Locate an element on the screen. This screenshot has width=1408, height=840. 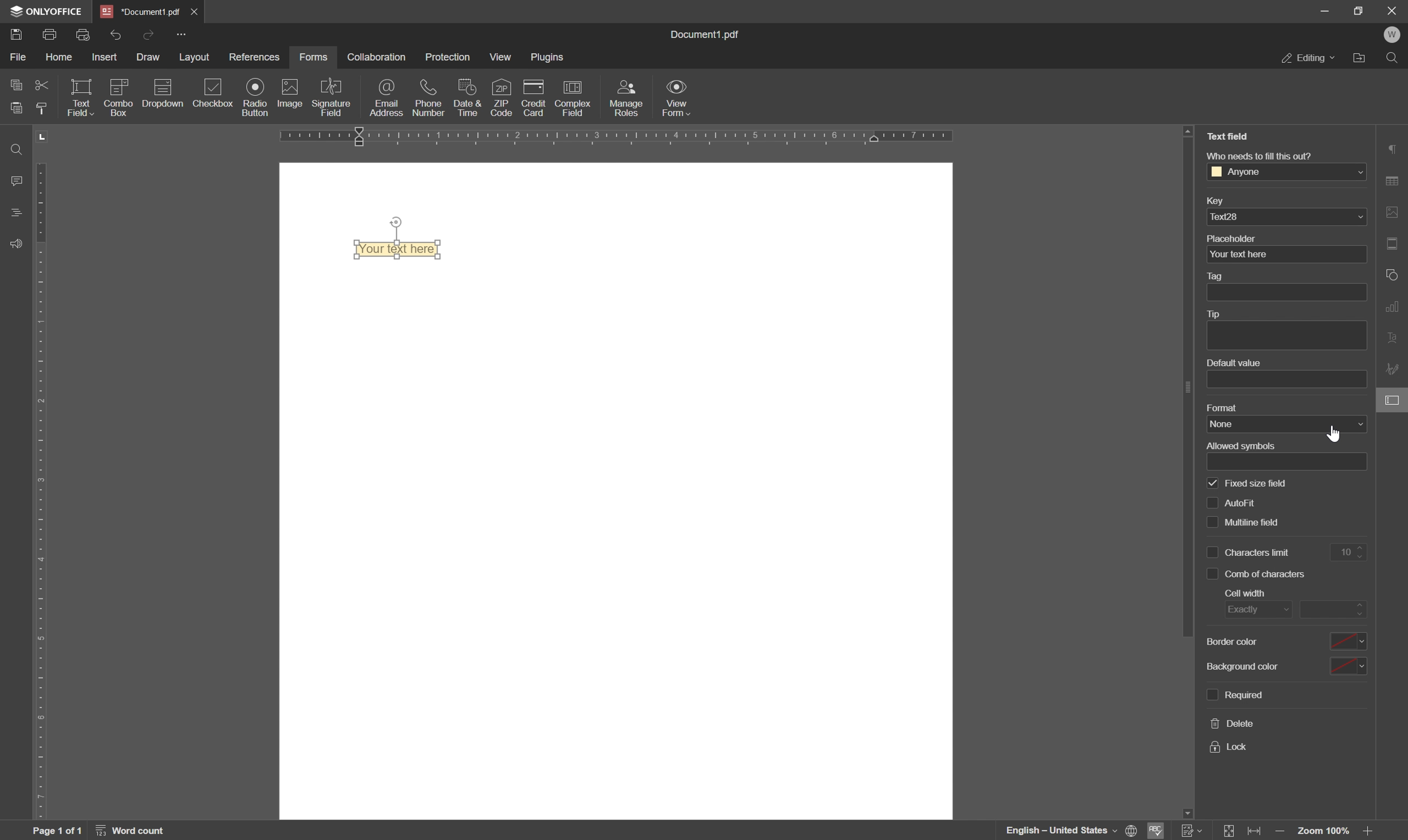
border color is located at coordinates (1234, 643).